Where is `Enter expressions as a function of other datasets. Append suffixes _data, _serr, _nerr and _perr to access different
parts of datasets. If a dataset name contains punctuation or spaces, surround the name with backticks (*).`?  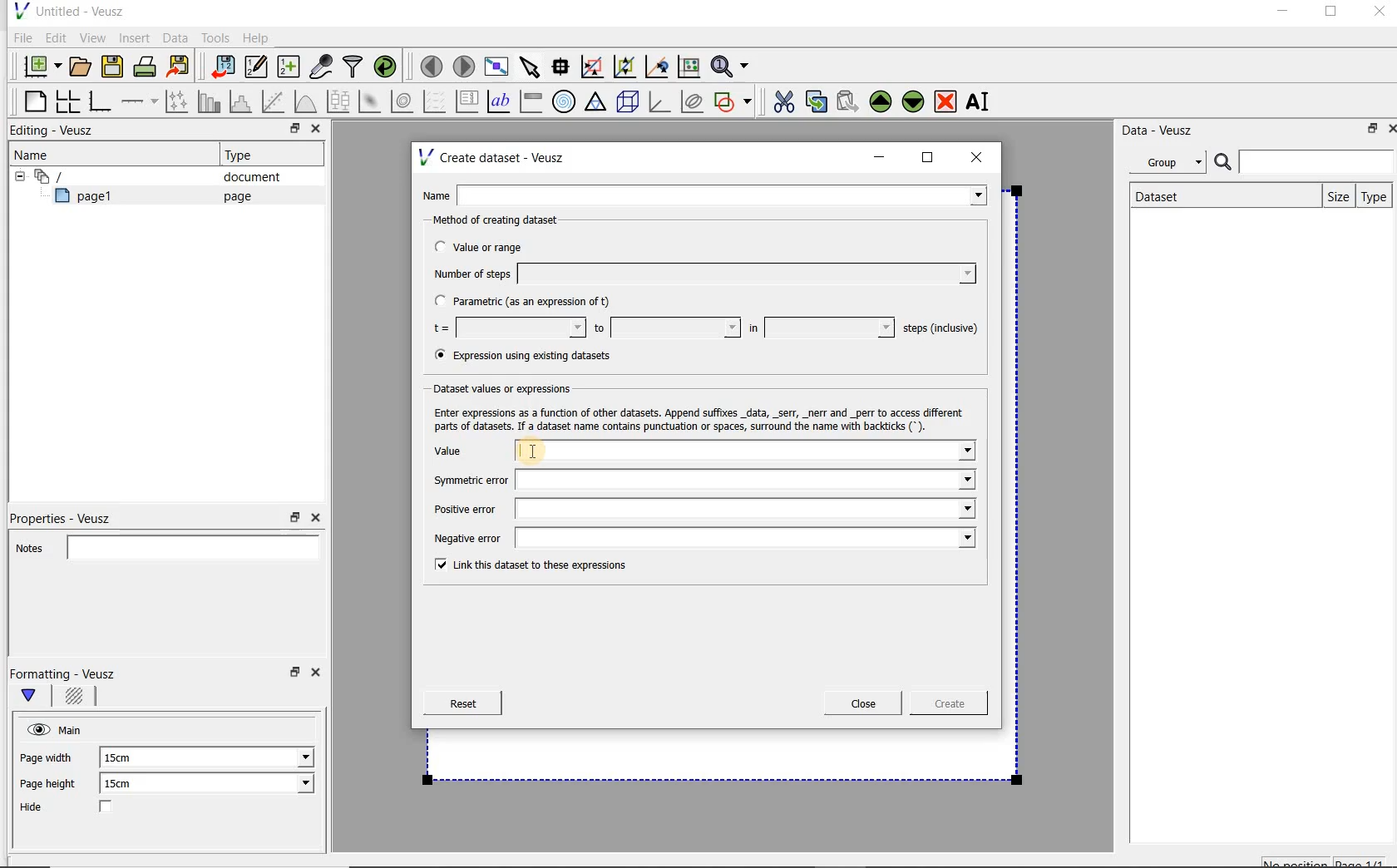
Enter expressions as a function of other datasets. Append suffixes _data, _serr, _nerr and _perr to access different
parts of datasets. If a dataset name contains punctuation or spaces, surround the name with backticks (*). is located at coordinates (703, 419).